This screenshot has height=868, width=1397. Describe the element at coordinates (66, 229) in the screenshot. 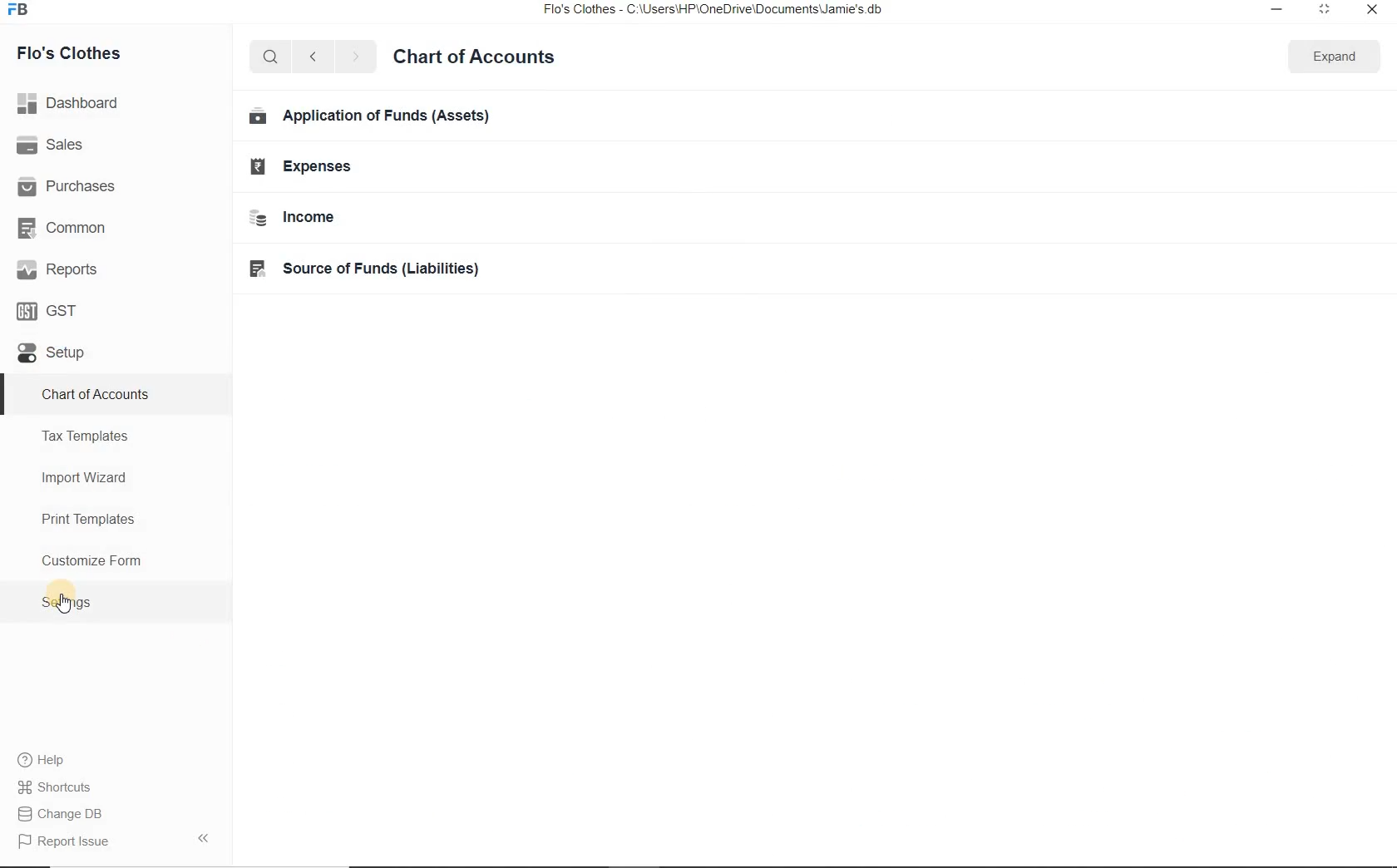

I see `Common` at that location.